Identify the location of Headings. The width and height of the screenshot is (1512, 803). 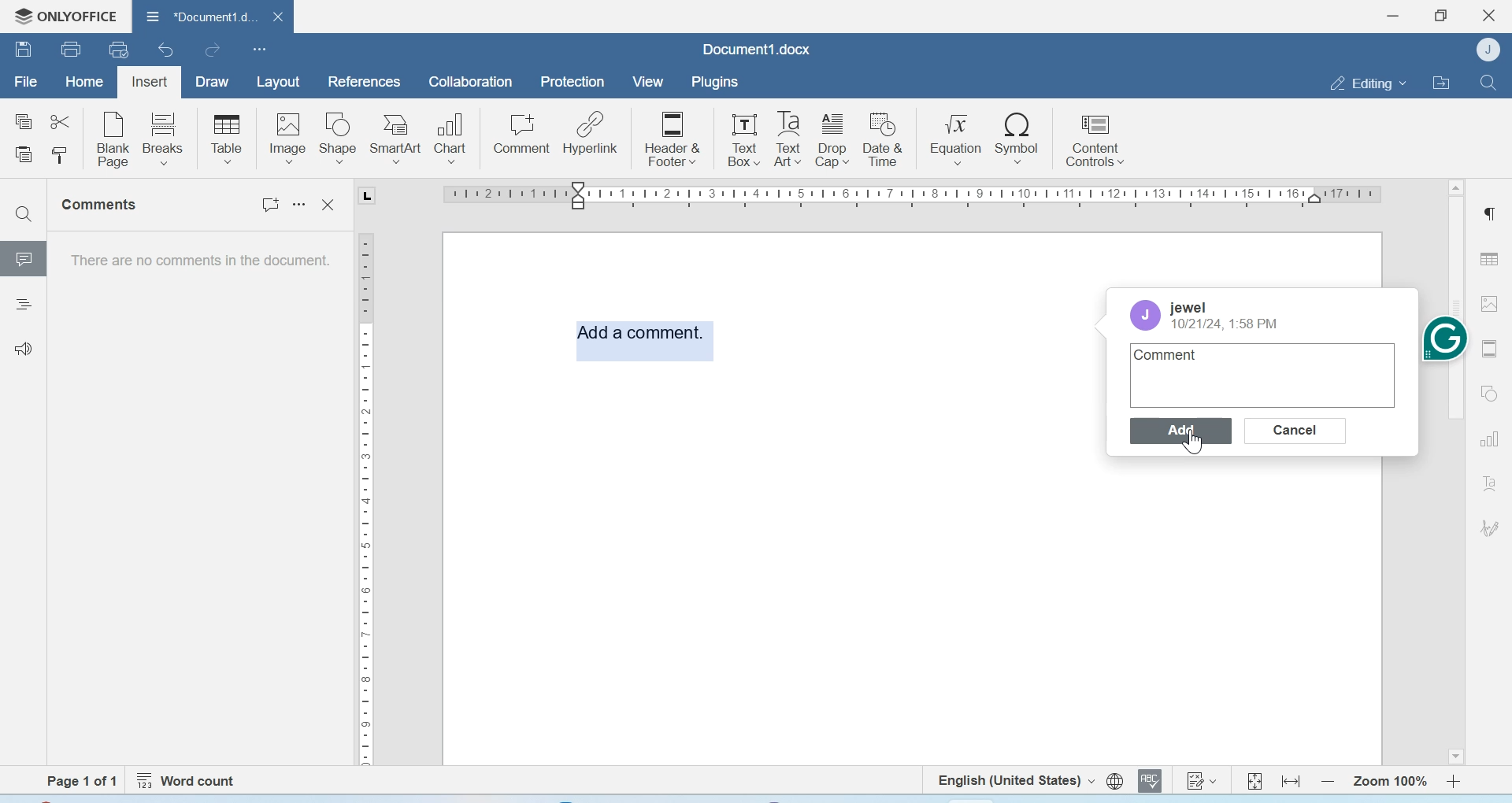
(23, 306).